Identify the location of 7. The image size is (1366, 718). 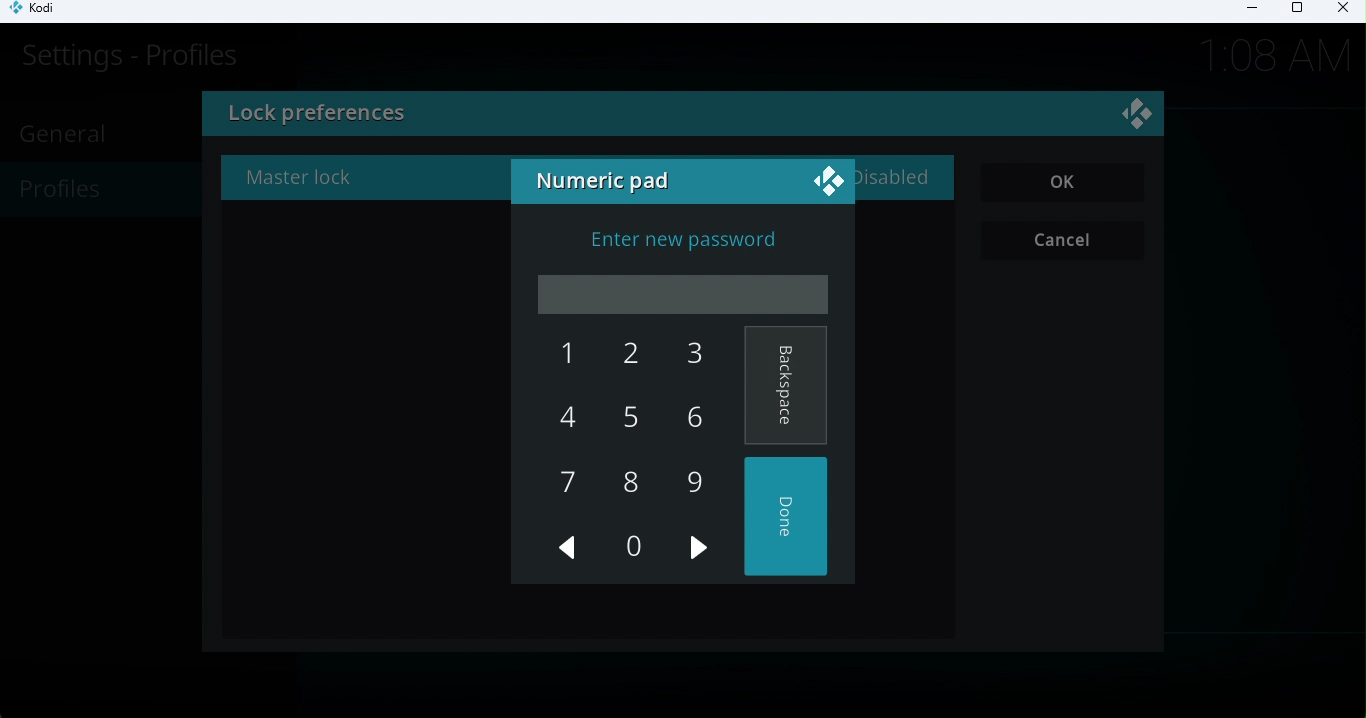
(569, 486).